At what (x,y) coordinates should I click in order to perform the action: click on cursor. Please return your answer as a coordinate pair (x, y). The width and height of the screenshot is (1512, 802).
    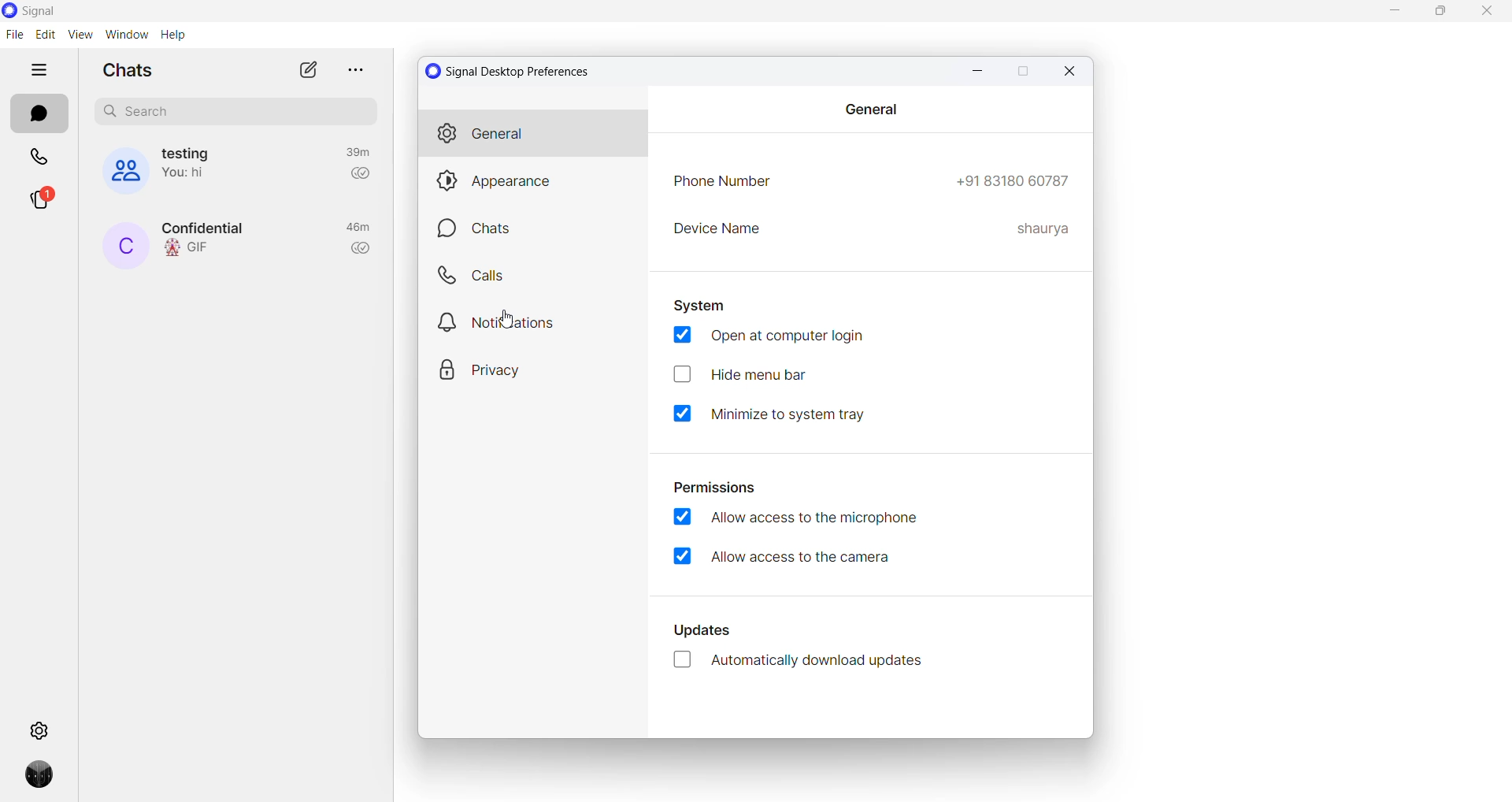
    Looking at the image, I should click on (512, 321).